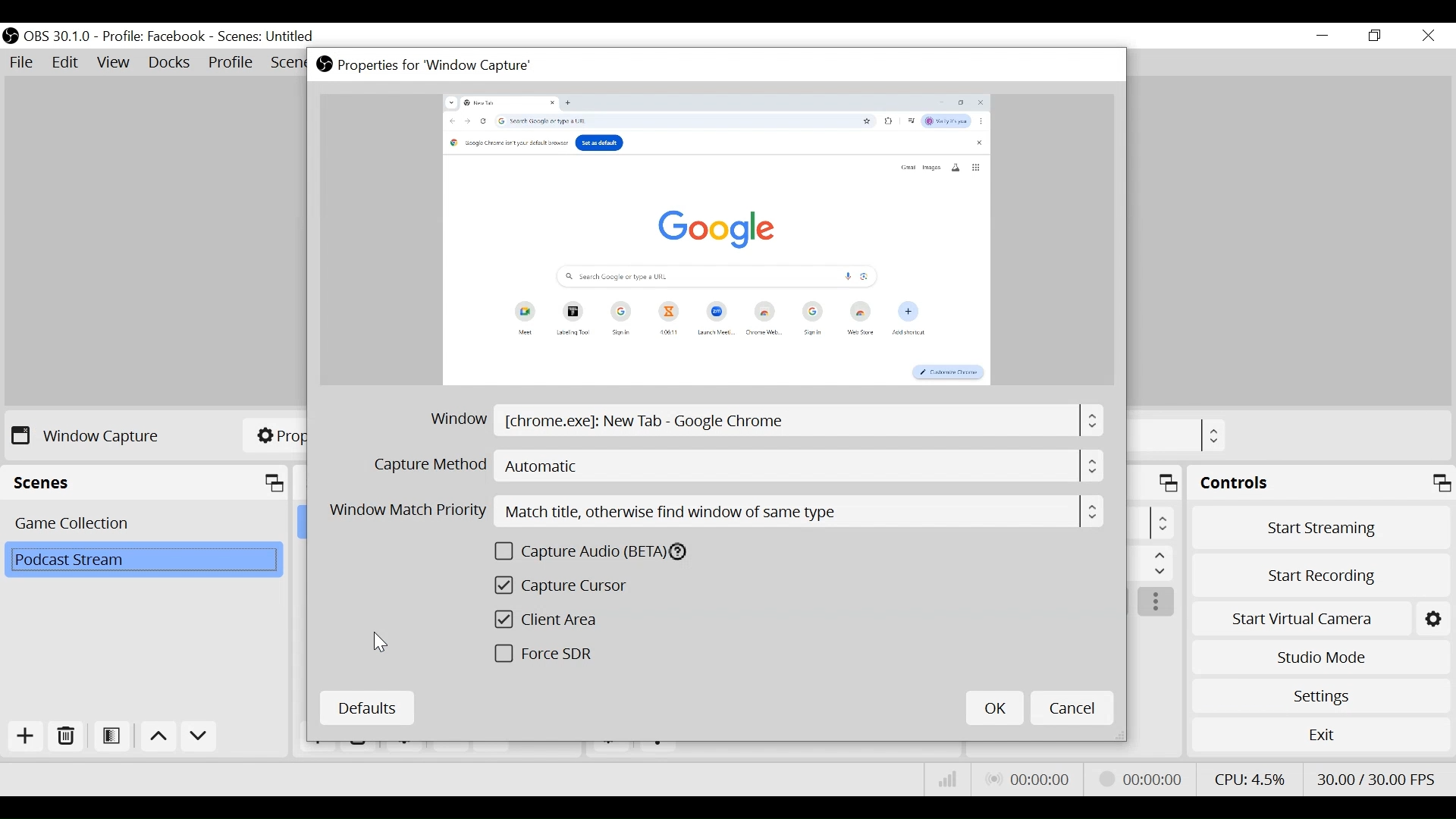 Image resolution: width=1456 pixels, height=819 pixels. I want to click on Studio Mode, so click(1318, 655).